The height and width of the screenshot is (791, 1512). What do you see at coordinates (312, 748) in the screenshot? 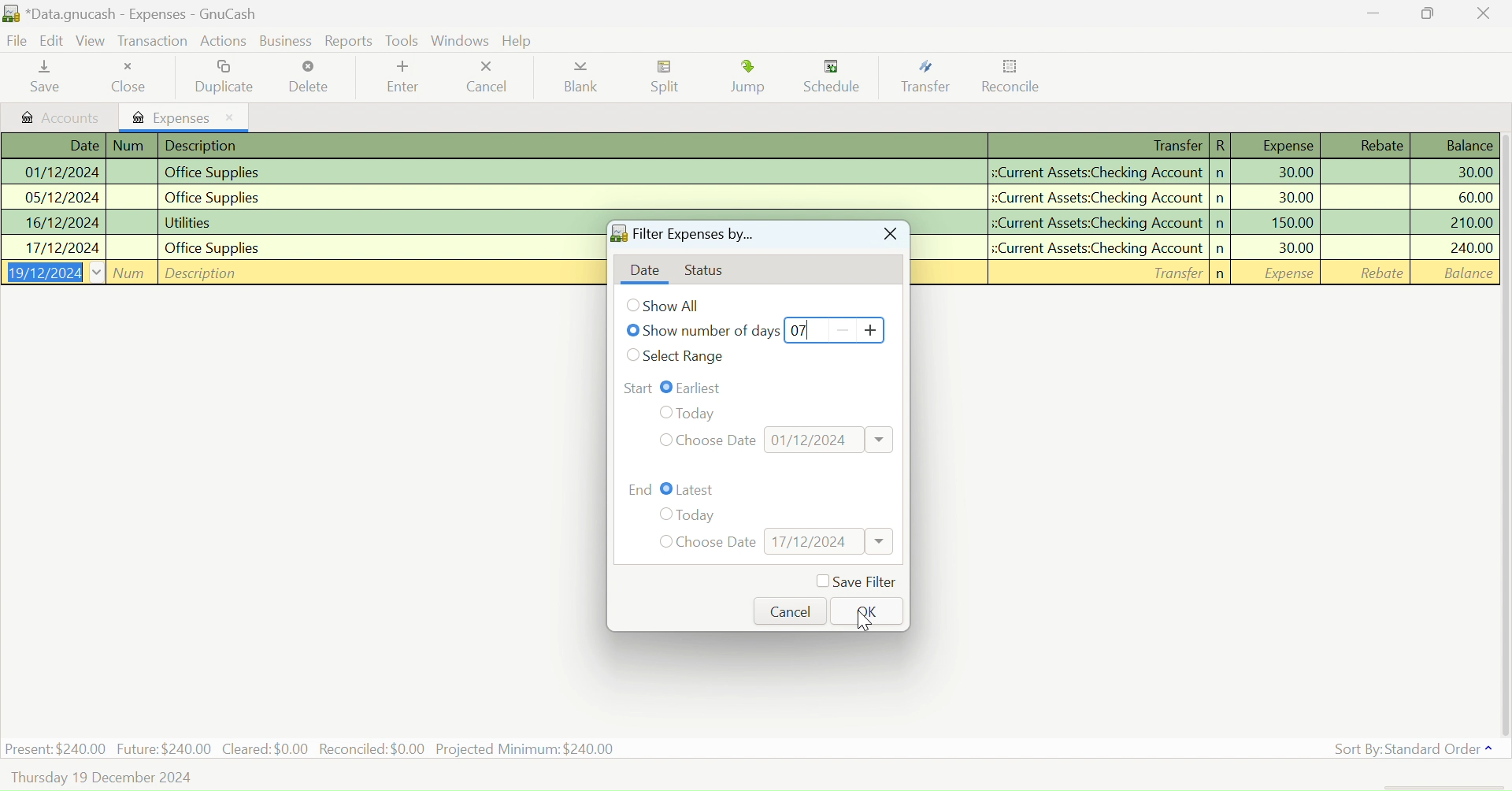
I see `Present: $240.00 Future:$240.00 Cleared: $0.00 Reconciled: $0.00 Projected Minimum: $240.00` at bounding box center [312, 748].